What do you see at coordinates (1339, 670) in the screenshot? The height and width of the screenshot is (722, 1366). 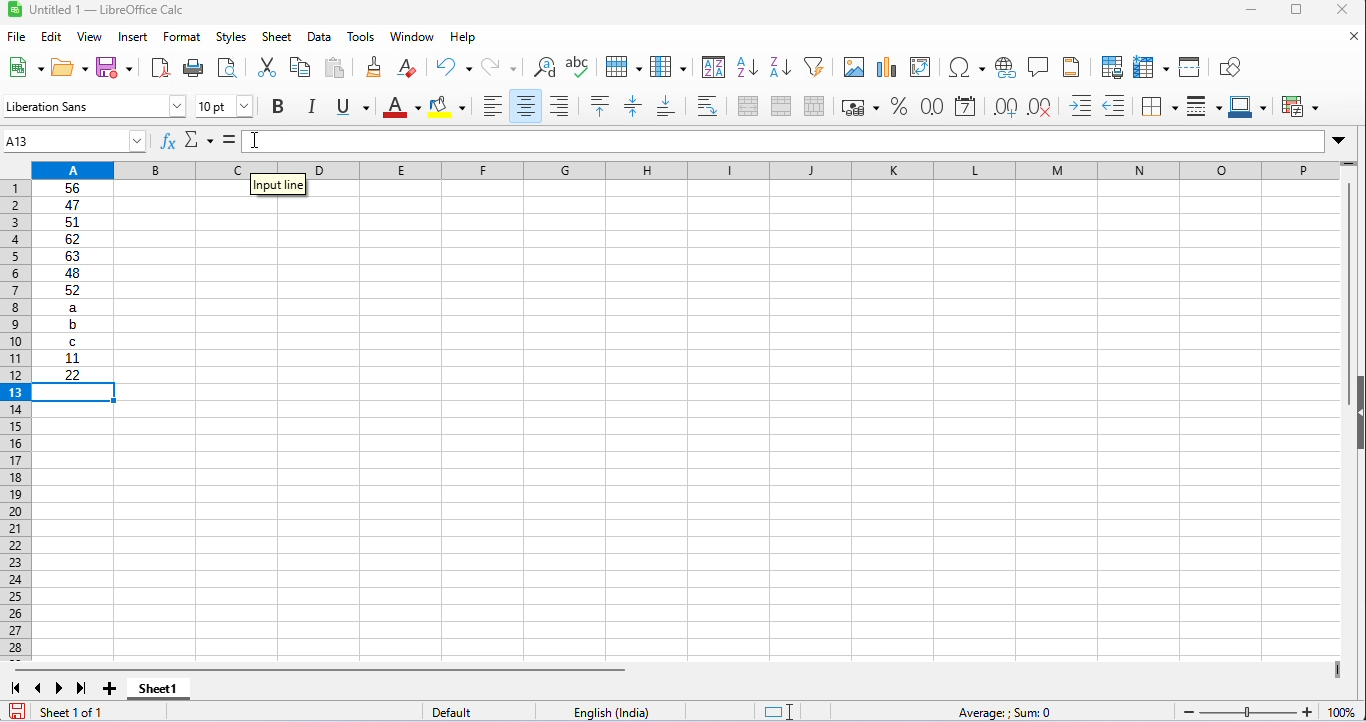 I see `drag to view next columns` at bounding box center [1339, 670].